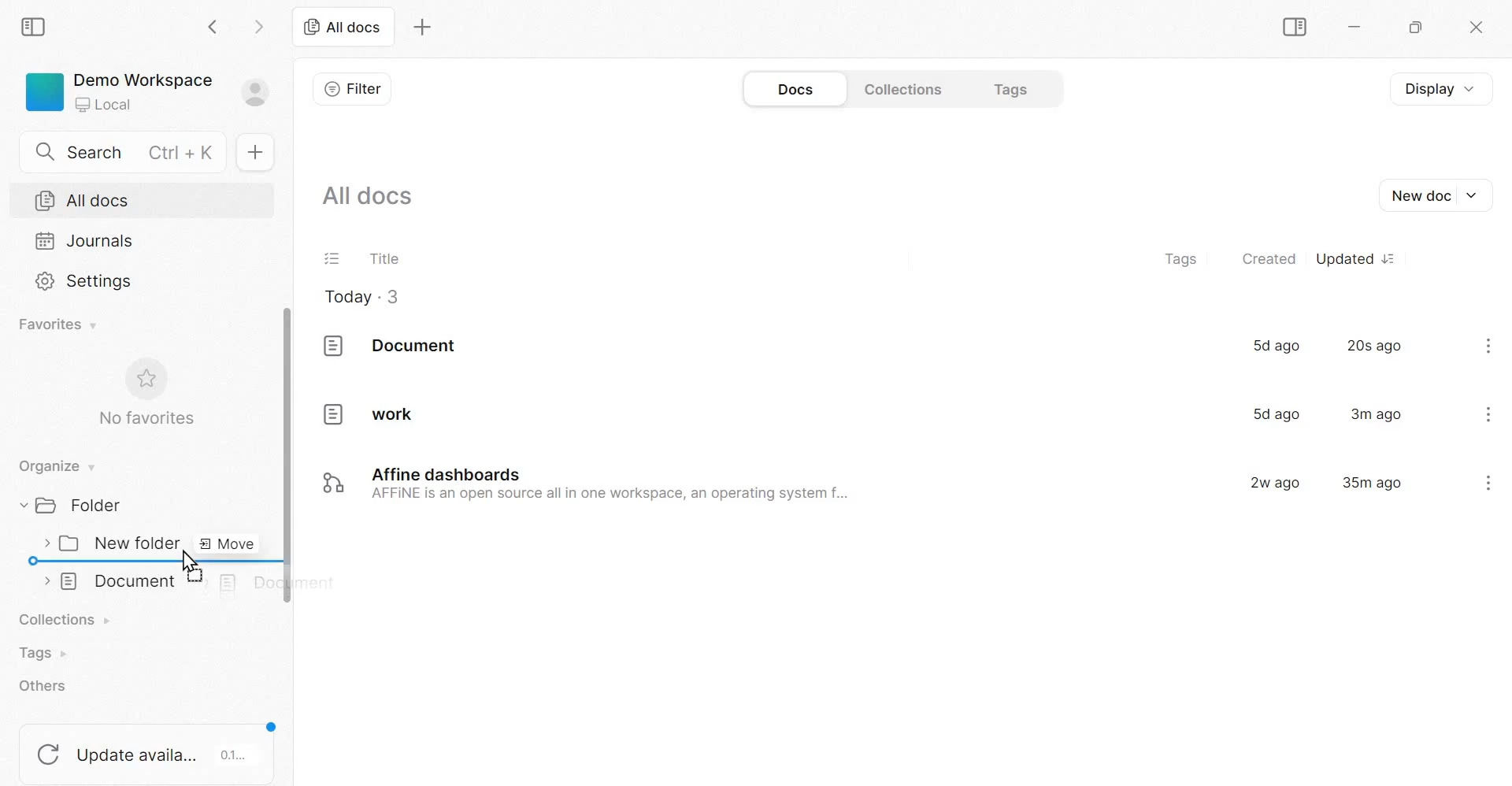 The image size is (1512, 786). What do you see at coordinates (1374, 346) in the screenshot?
I see `20s ago` at bounding box center [1374, 346].